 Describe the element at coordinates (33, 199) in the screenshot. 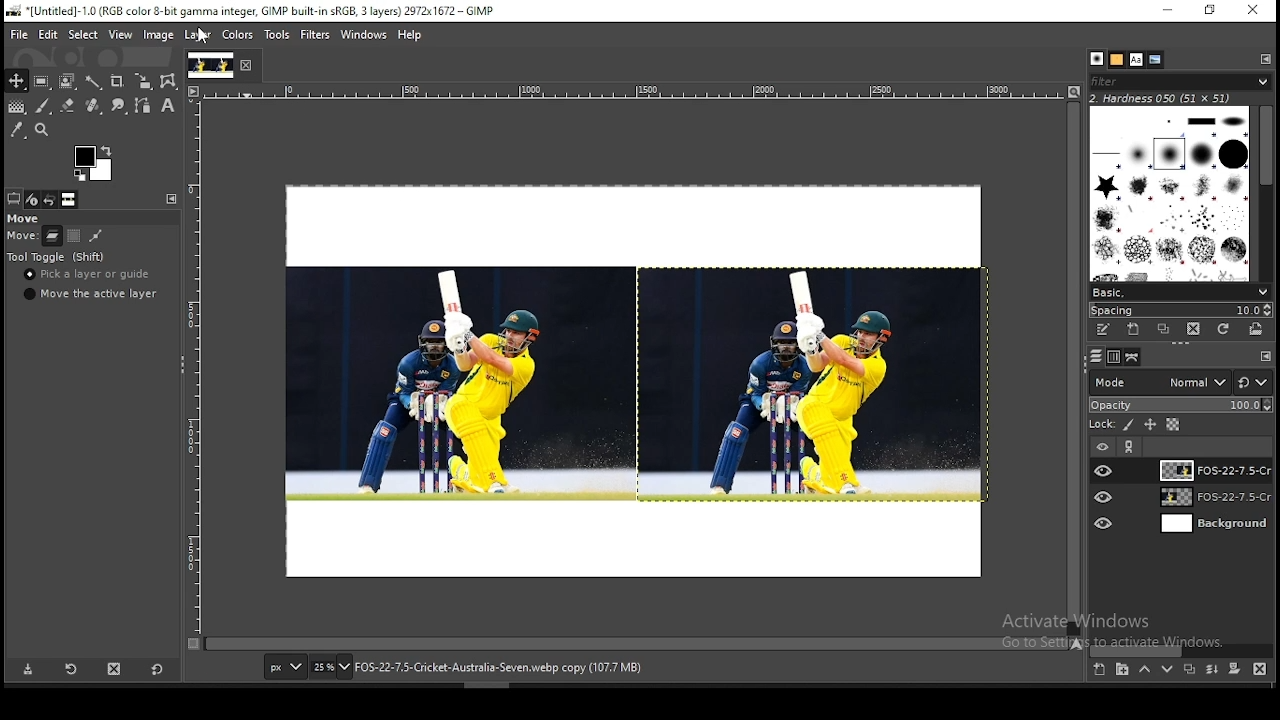

I see `device status` at that location.